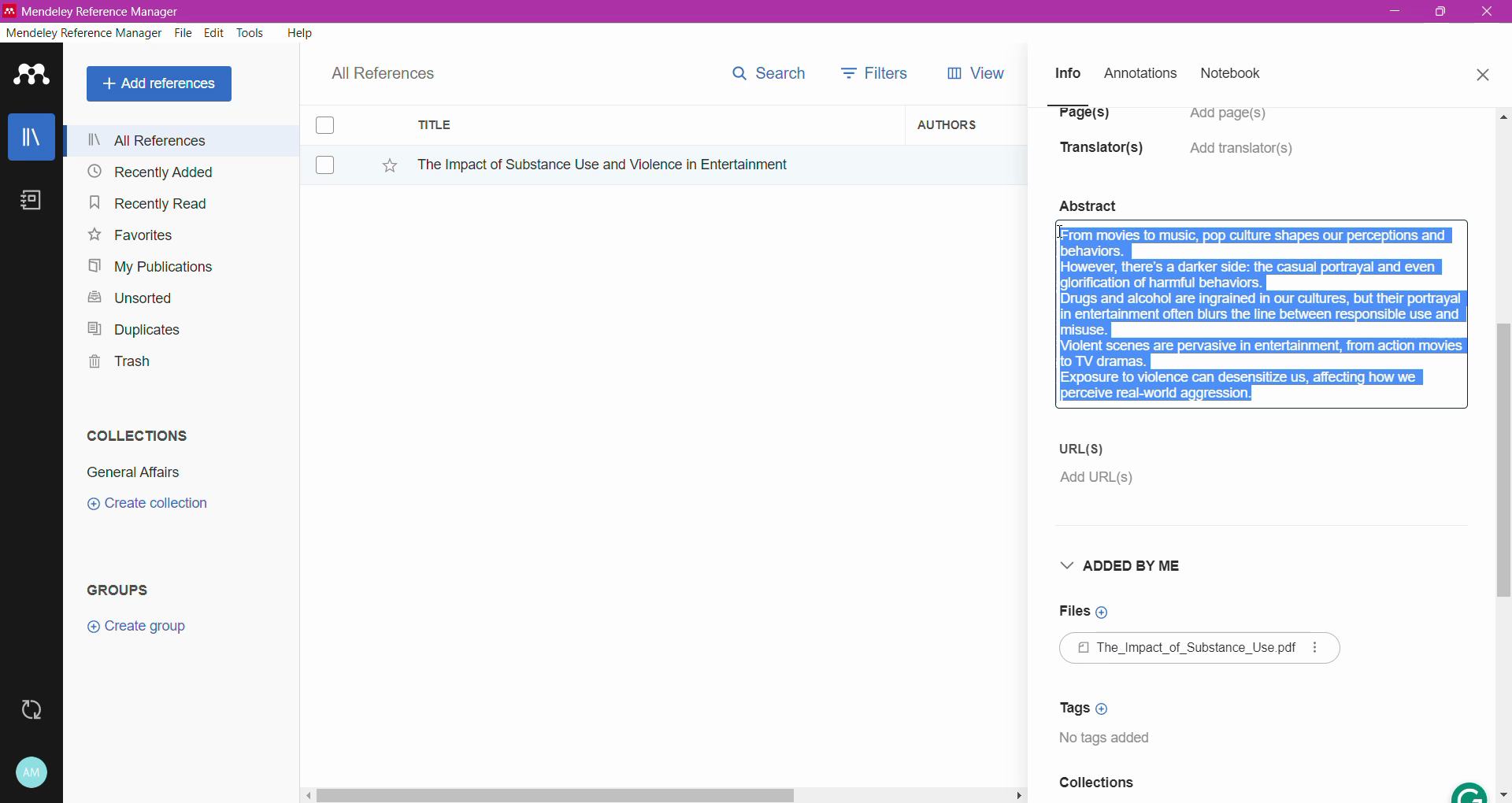  What do you see at coordinates (214, 33) in the screenshot?
I see `Edit` at bounding box center [214, 33].